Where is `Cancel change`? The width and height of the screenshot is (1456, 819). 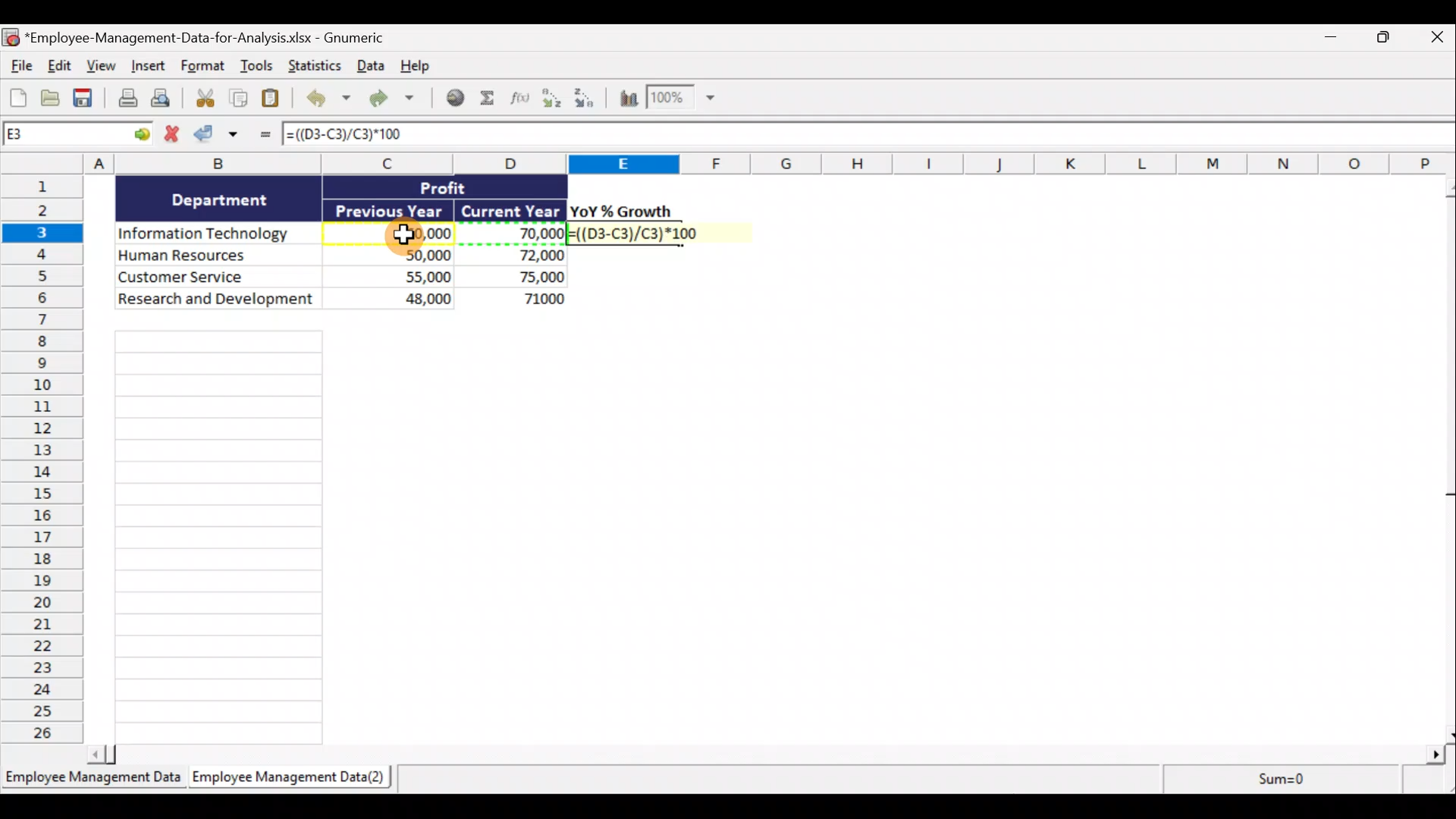
Cancel change is located at coordinates (174, 134).